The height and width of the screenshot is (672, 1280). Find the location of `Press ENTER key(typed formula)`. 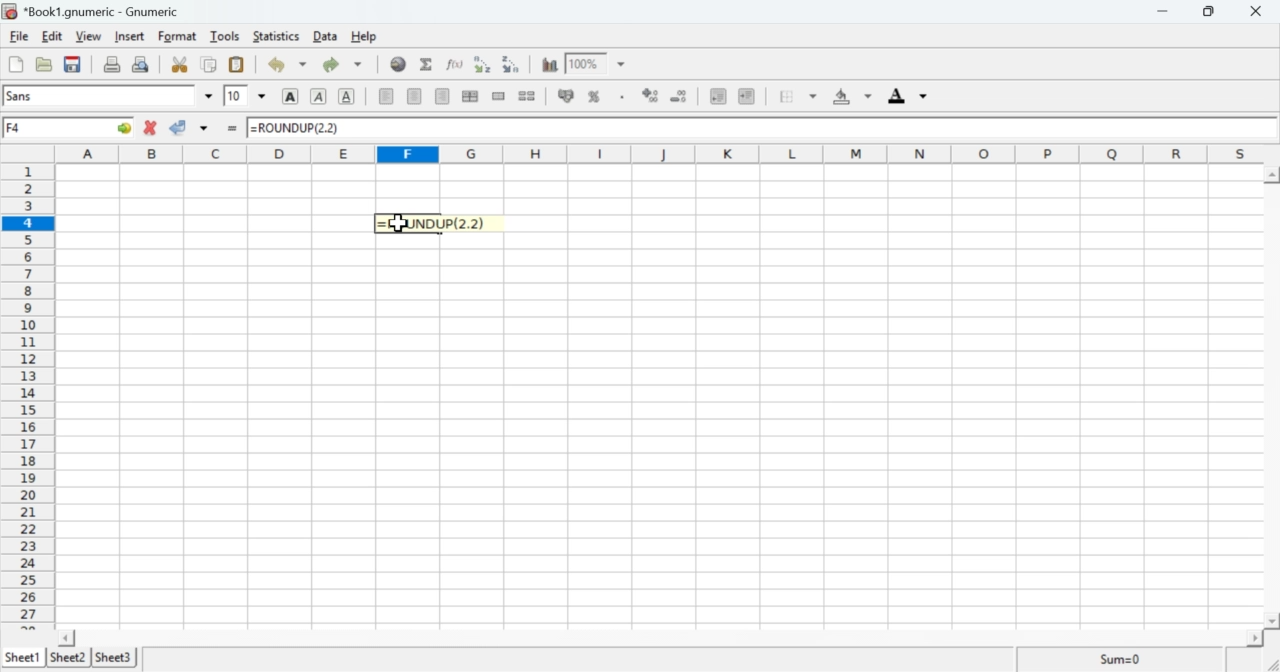

Press ENTER key(typed formula) is located at coordinates (446, 224).